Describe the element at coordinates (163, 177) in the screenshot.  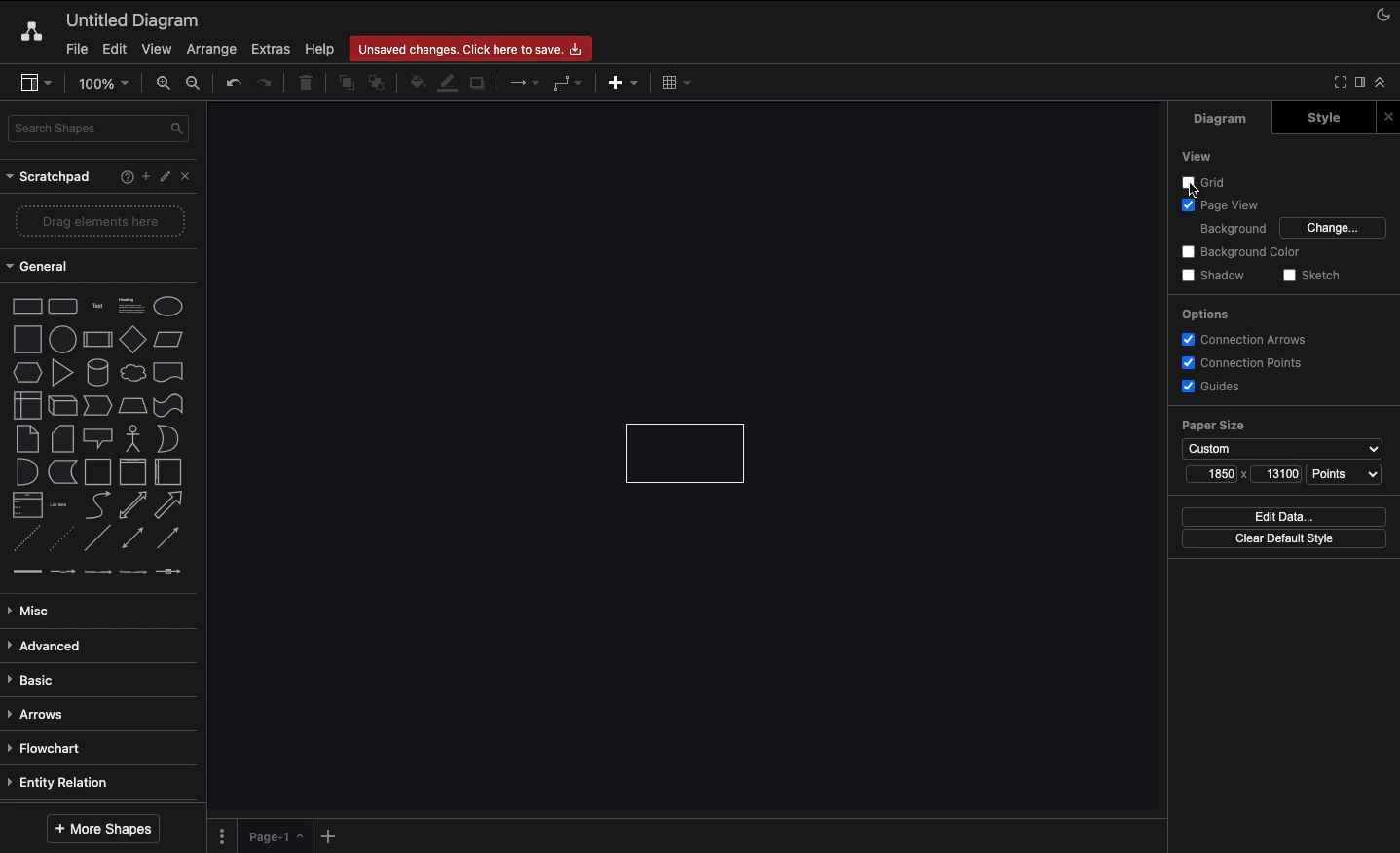
I see `Edit` at that location.